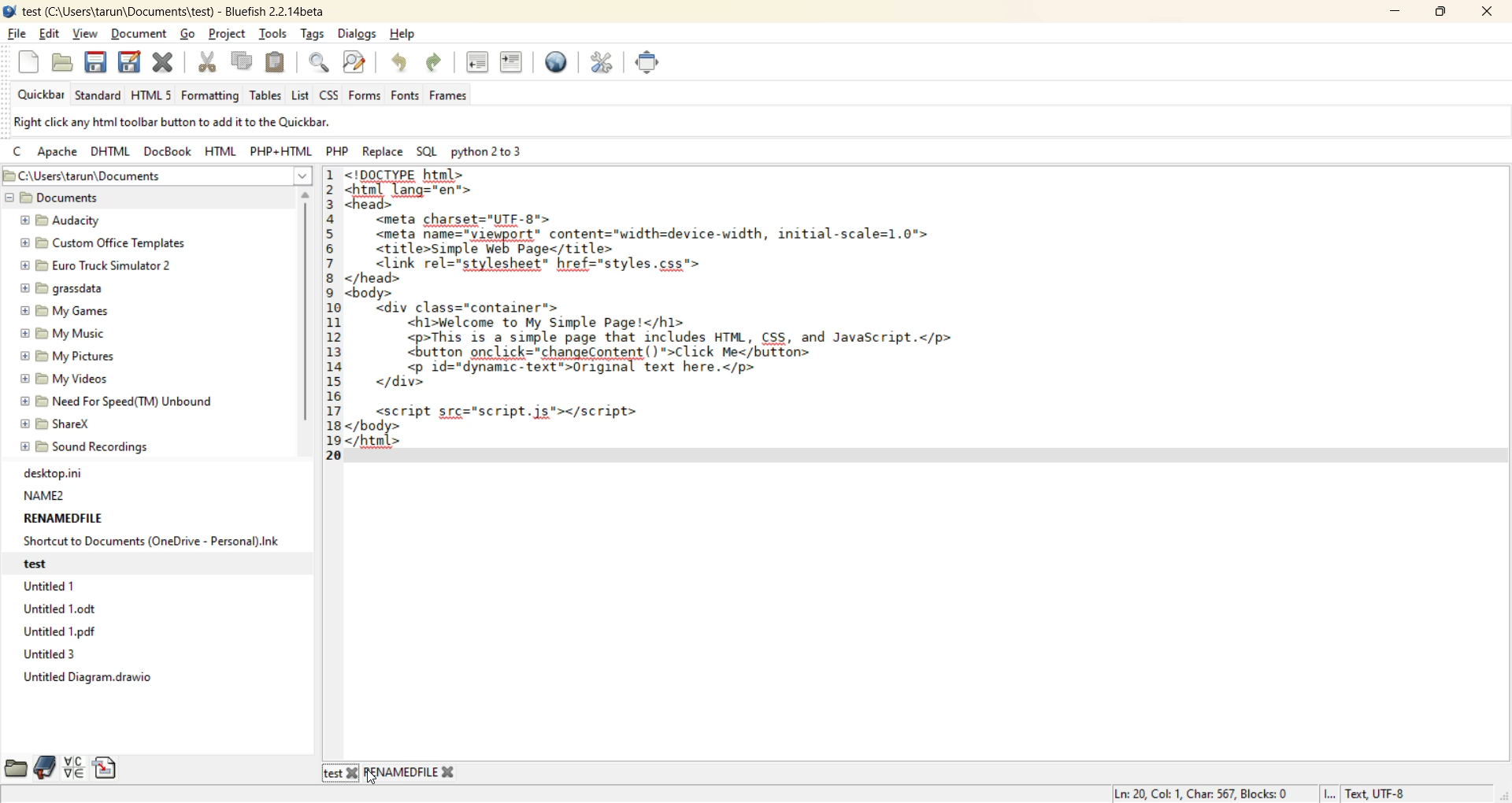 Image resolution: width=1512 pixels, height=803 pixels. Describe the element at coordinates (384, 151) in the screenshot. I see `replace` at that location.